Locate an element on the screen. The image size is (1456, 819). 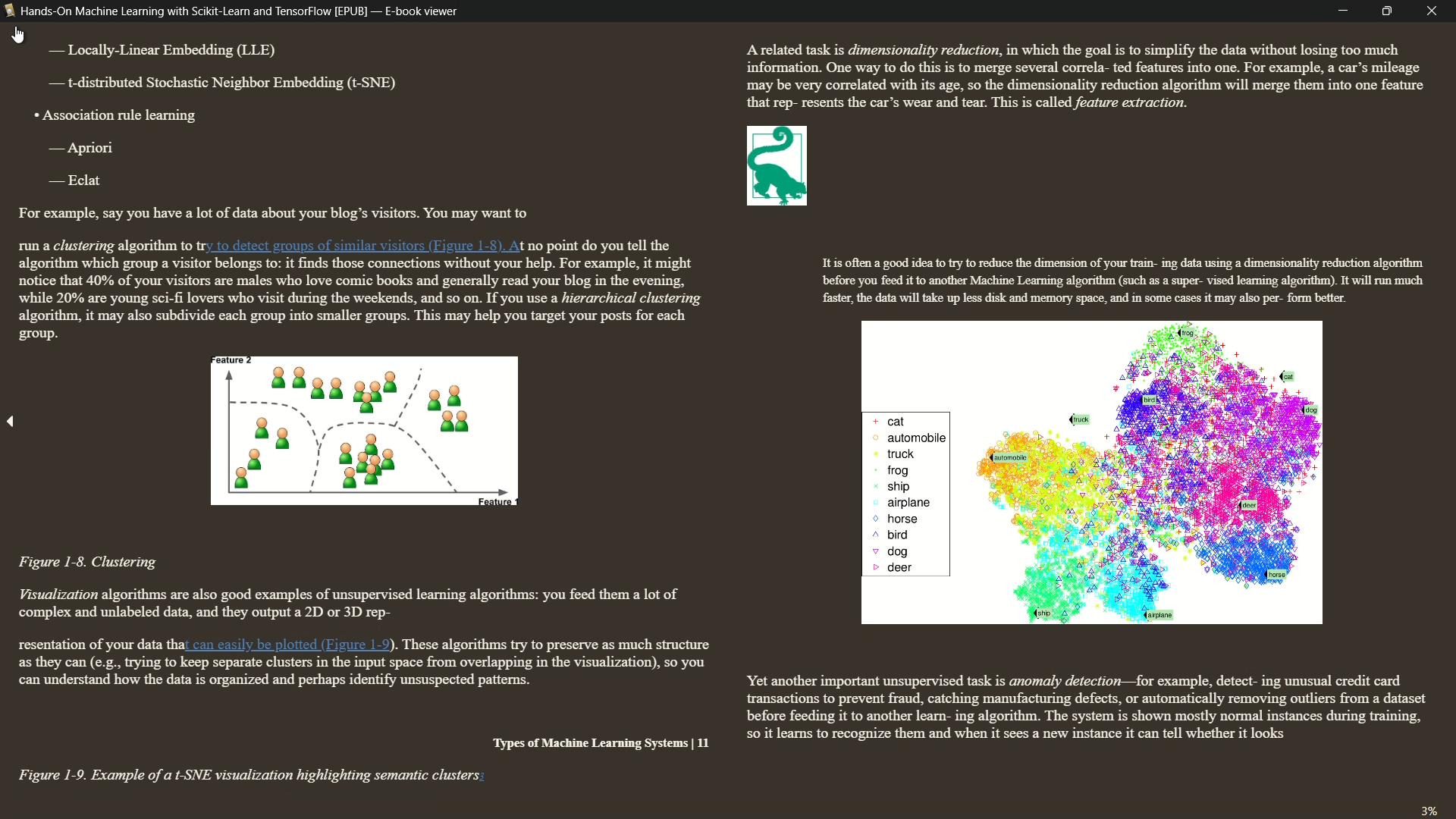
e-book viewer icon is located at coordinates (9, 14).